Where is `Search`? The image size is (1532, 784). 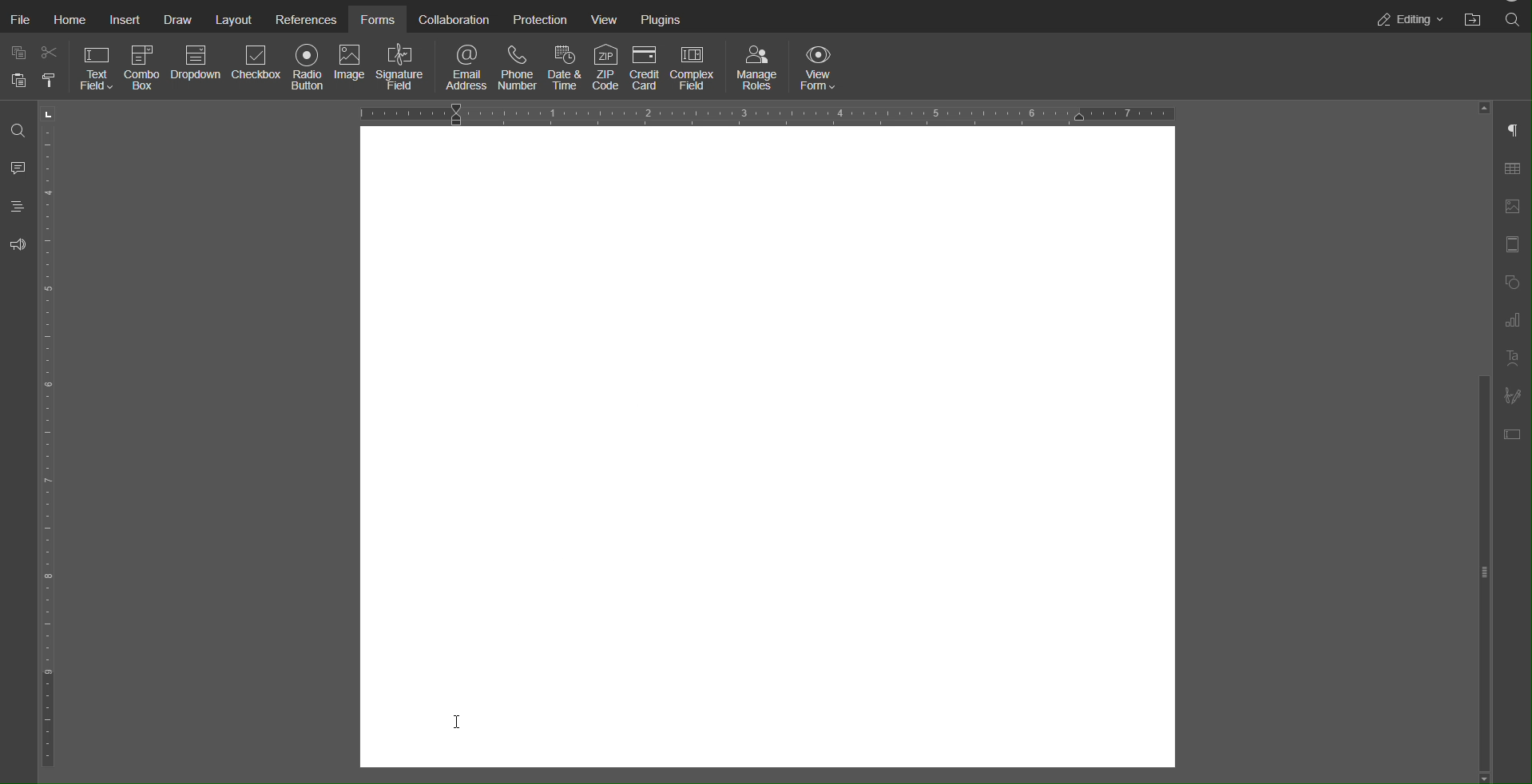 Search is located at coordinates (16, 133).